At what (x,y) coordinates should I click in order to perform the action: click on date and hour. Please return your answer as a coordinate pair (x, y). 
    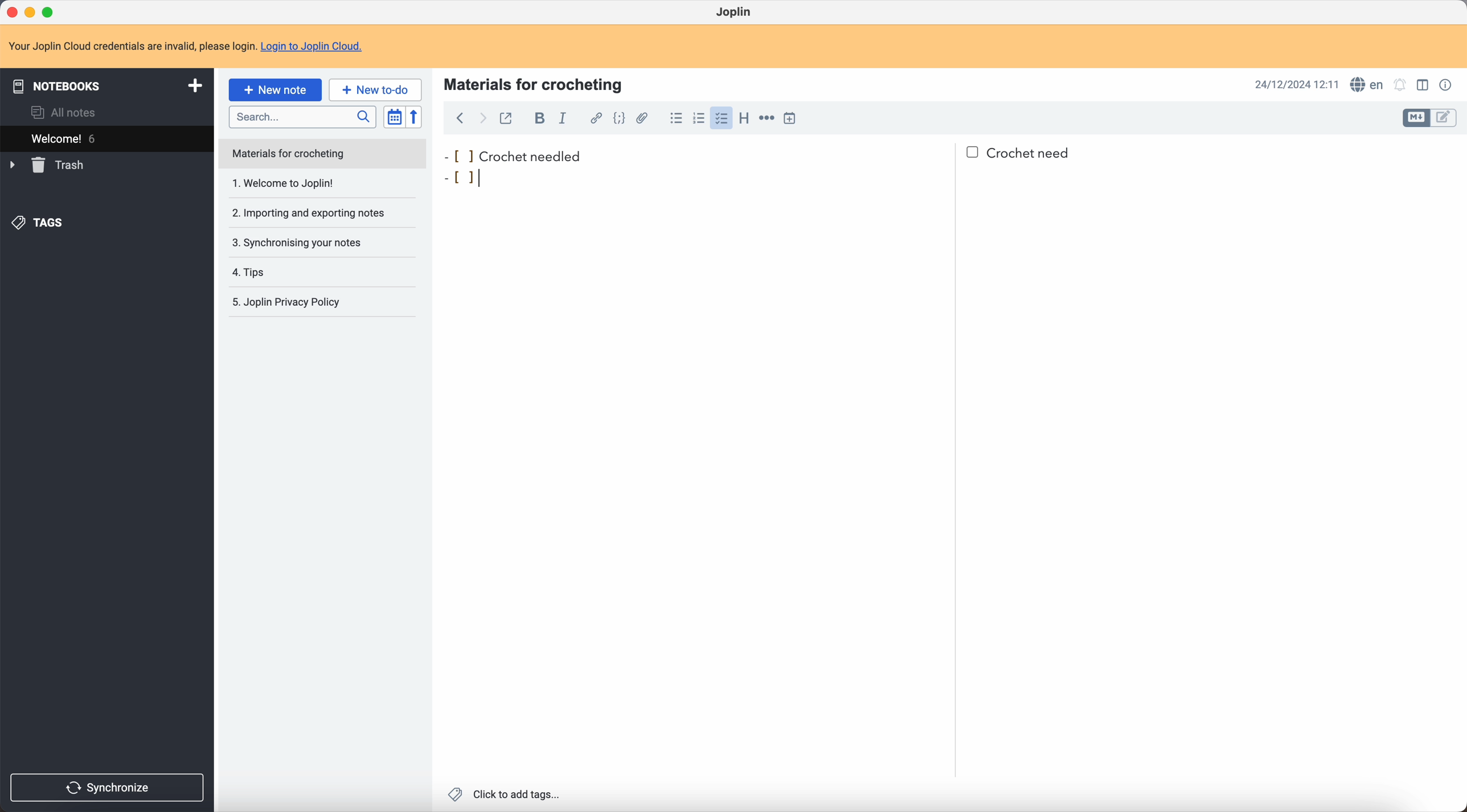
    Looking at the image, I should click on (1297, 84).